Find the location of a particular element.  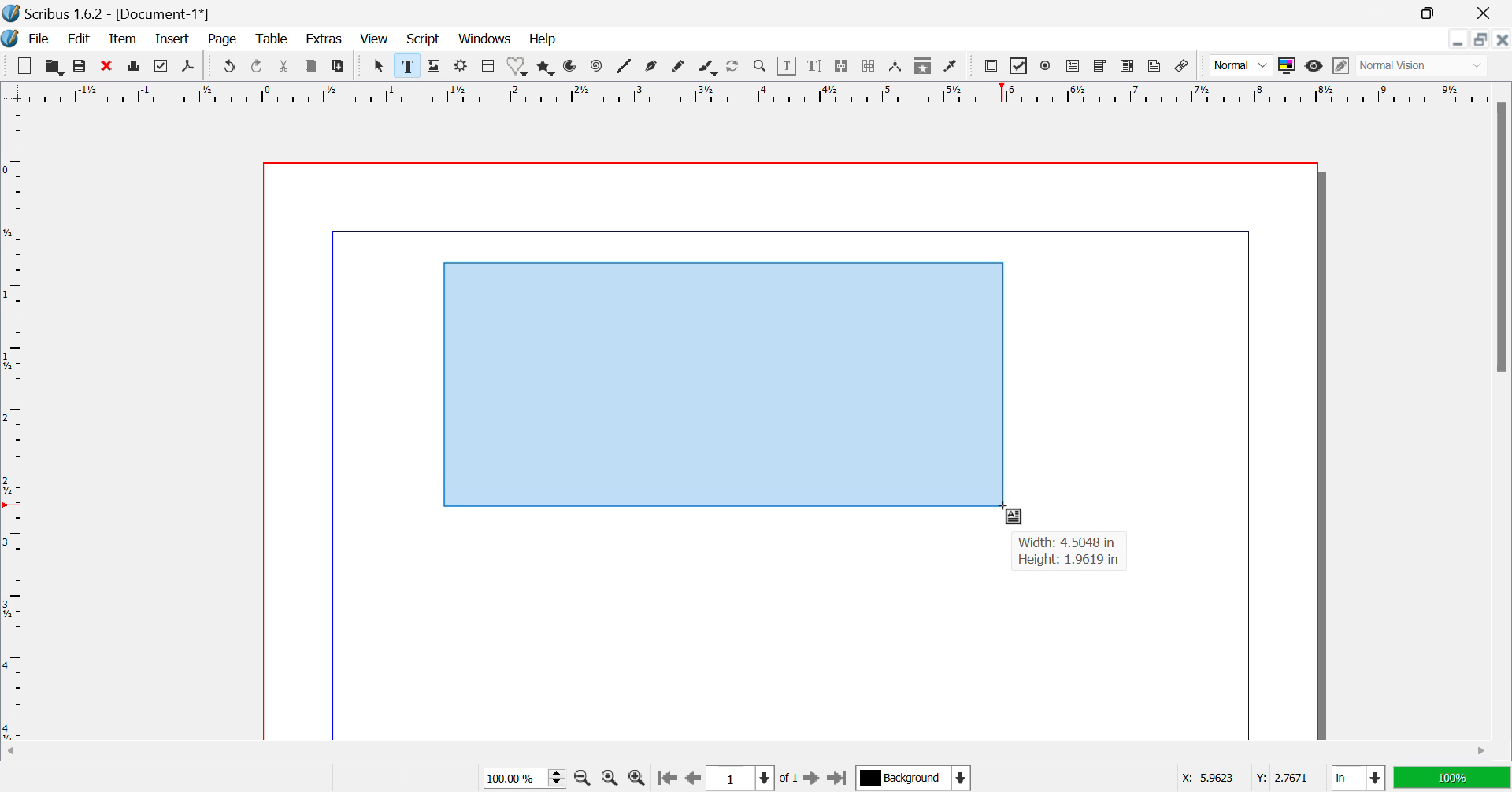

Pdf Push button is located at coordinates (991, 68).